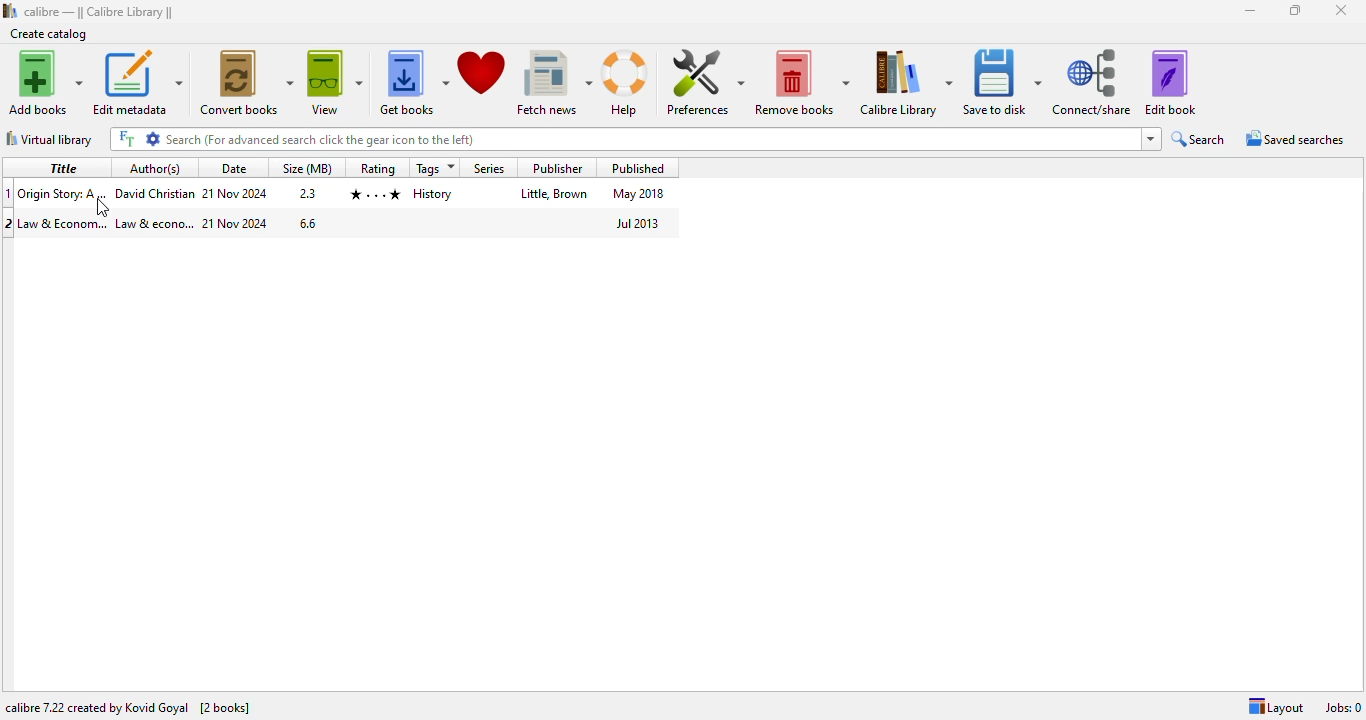 The width and height of the screenshot is (1366, 720). Describe the element at coordinates (1276, 707) in the screenshot. I see `layout` at that location.